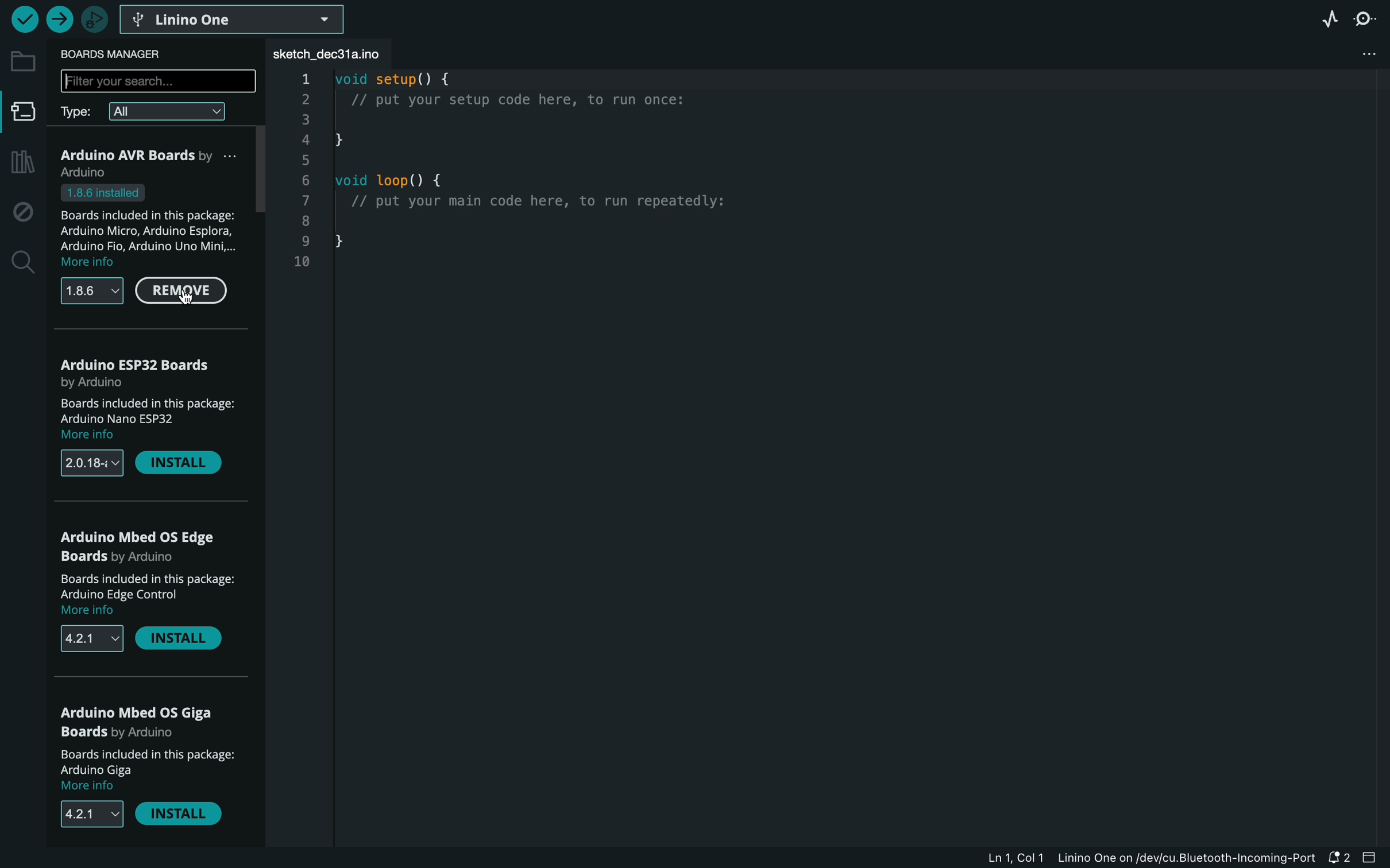  I want to click on file setting, so click(1357, 54).